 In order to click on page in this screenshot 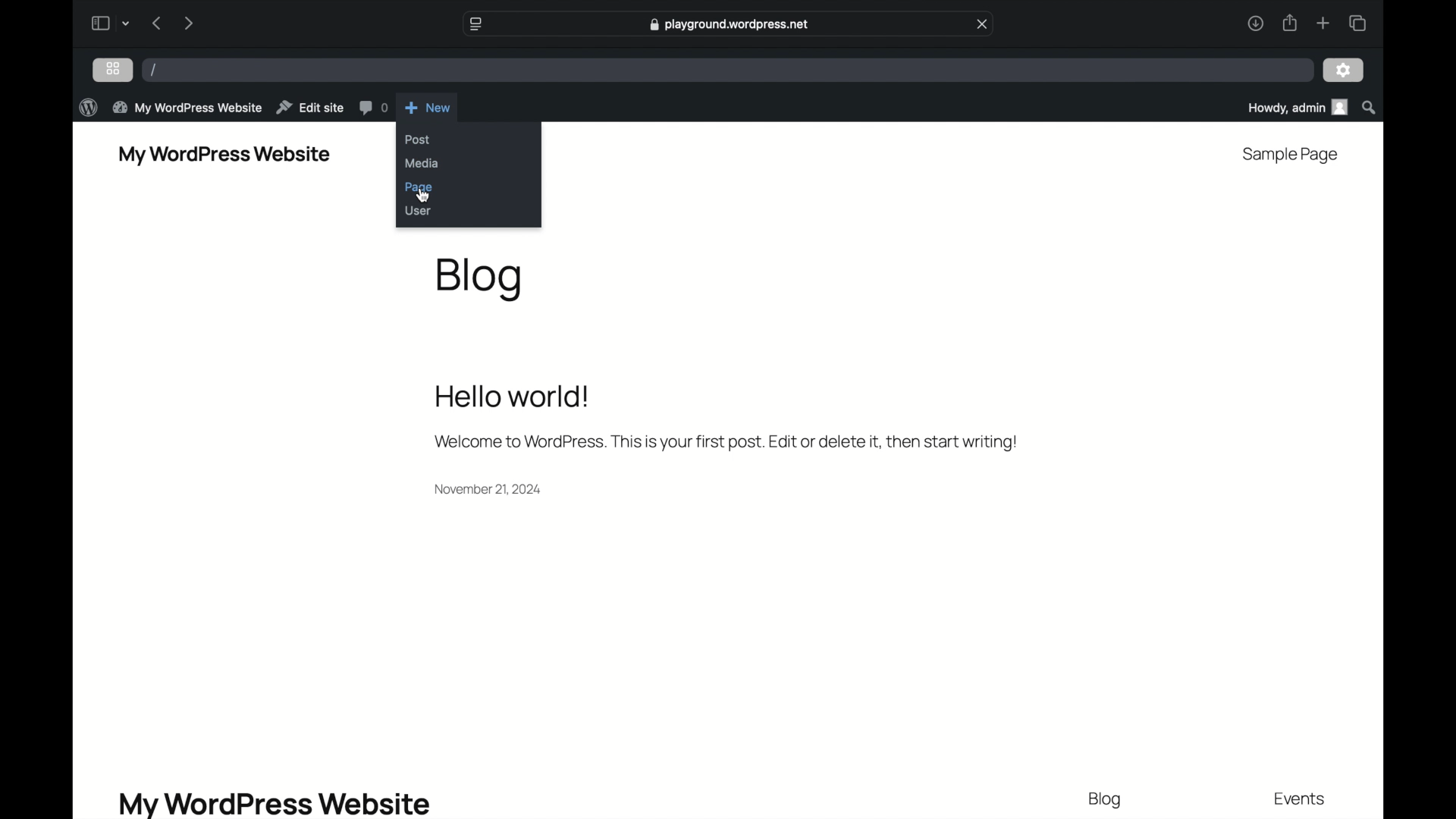, I will do `click(419, 187)`.